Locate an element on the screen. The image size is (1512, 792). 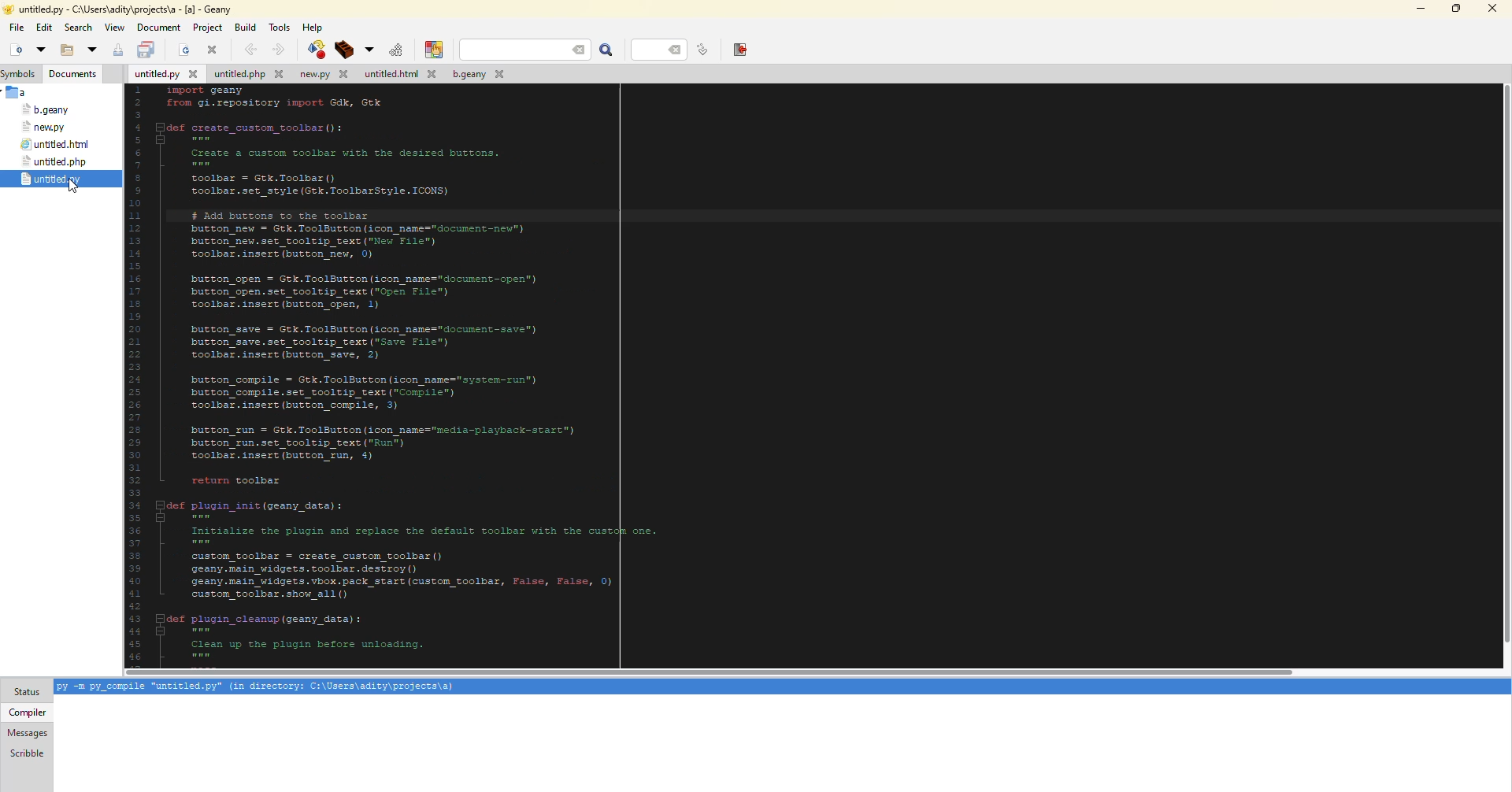
document is located at coordinates (159, 27).